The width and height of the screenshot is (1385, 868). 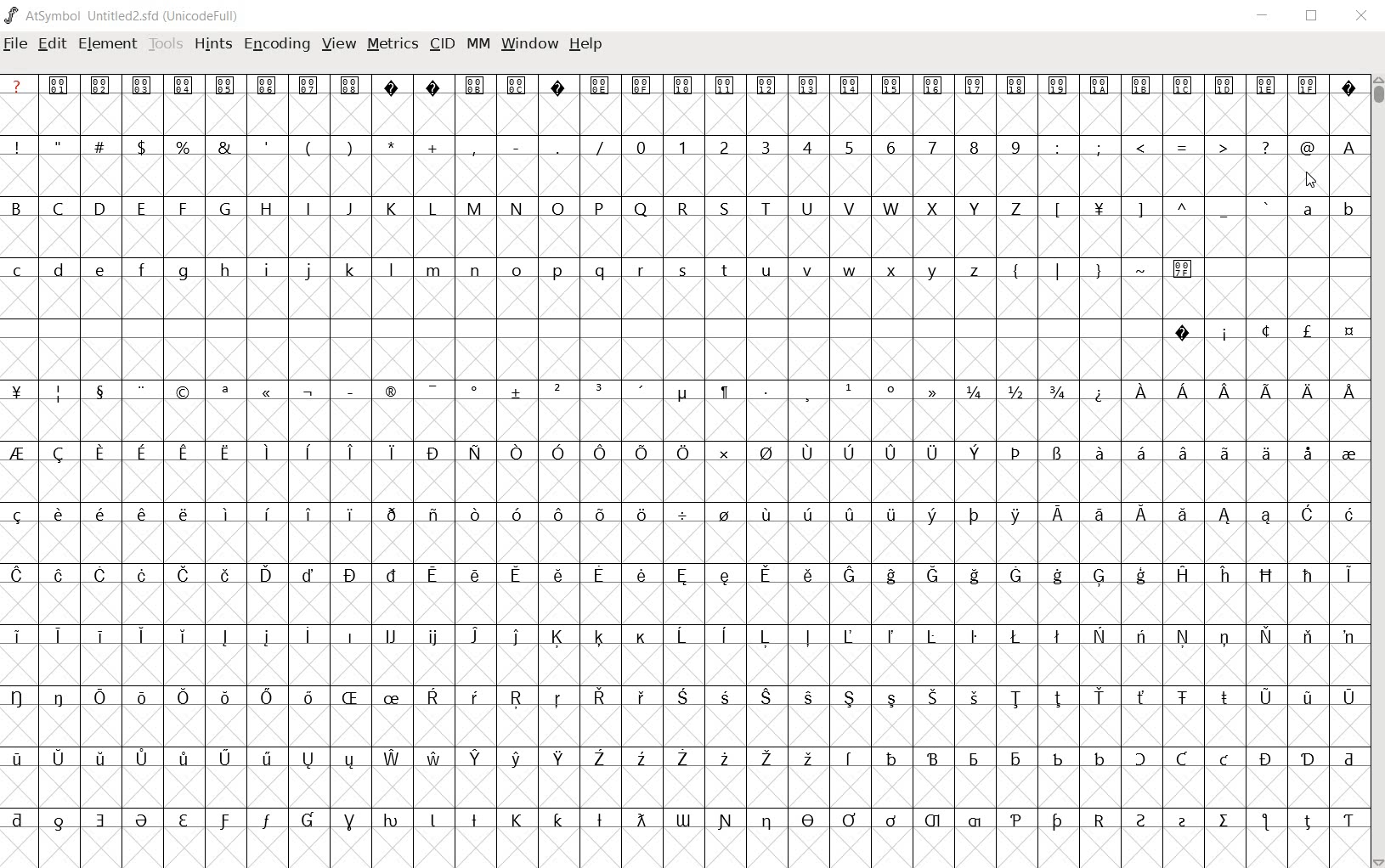 I want to click on HINTS, so click(x=212, y=45).